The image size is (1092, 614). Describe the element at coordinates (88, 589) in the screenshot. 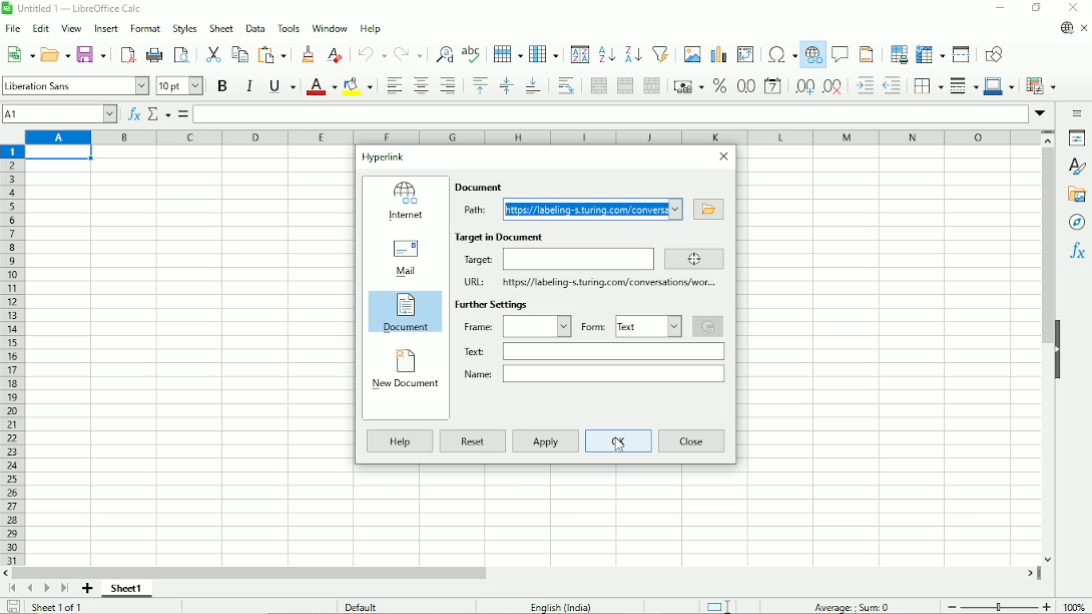

I see `Add sheet` at that location.